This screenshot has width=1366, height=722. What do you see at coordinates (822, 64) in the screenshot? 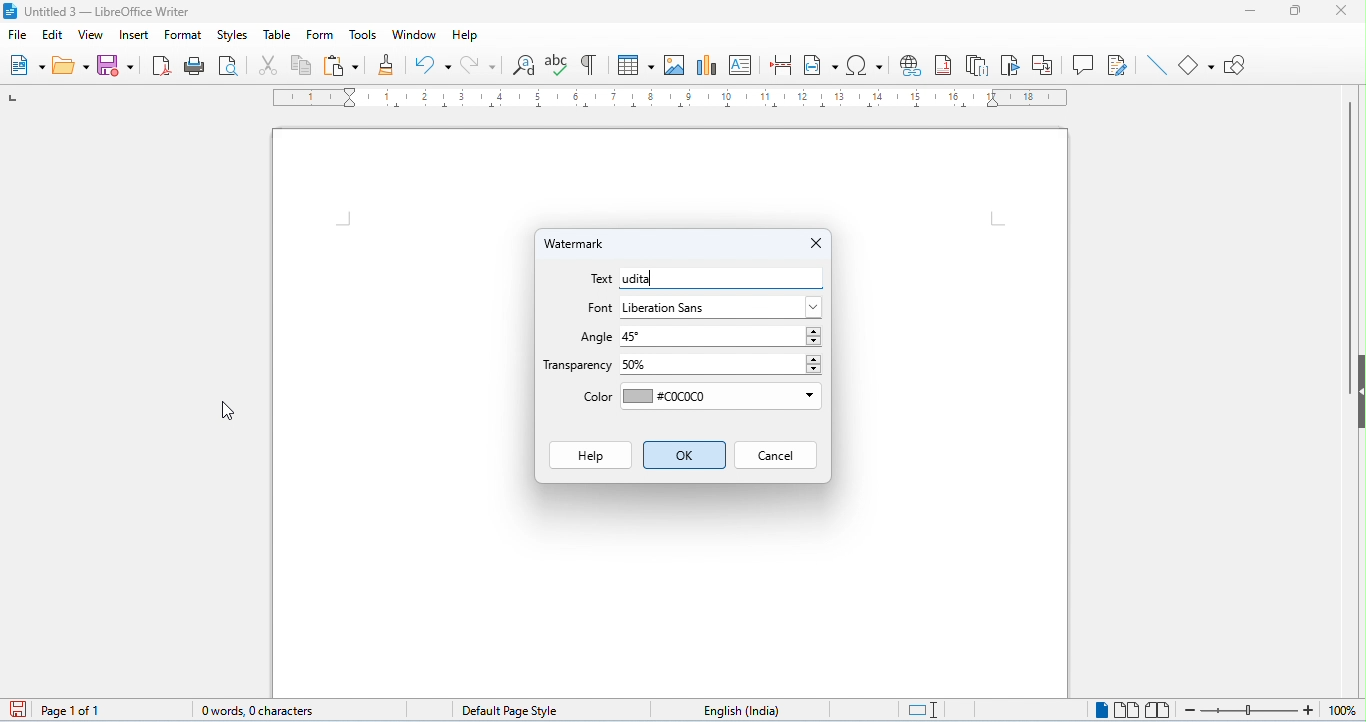
I see `insert field` at bounding box center [822, 64].